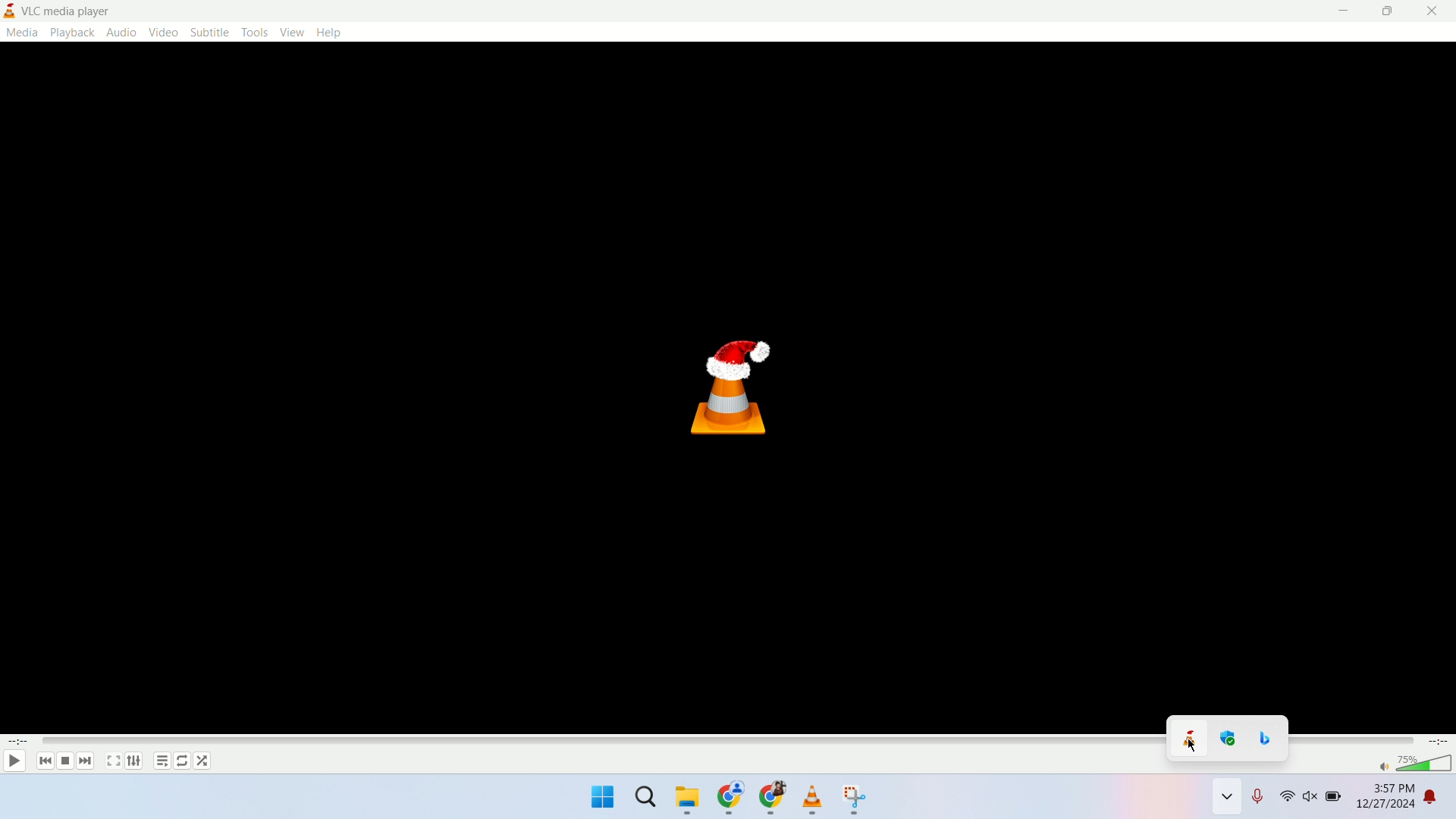 The height and width of the screenshot is (819, 1456). I want to click on elapsed time, so click(17, 742).